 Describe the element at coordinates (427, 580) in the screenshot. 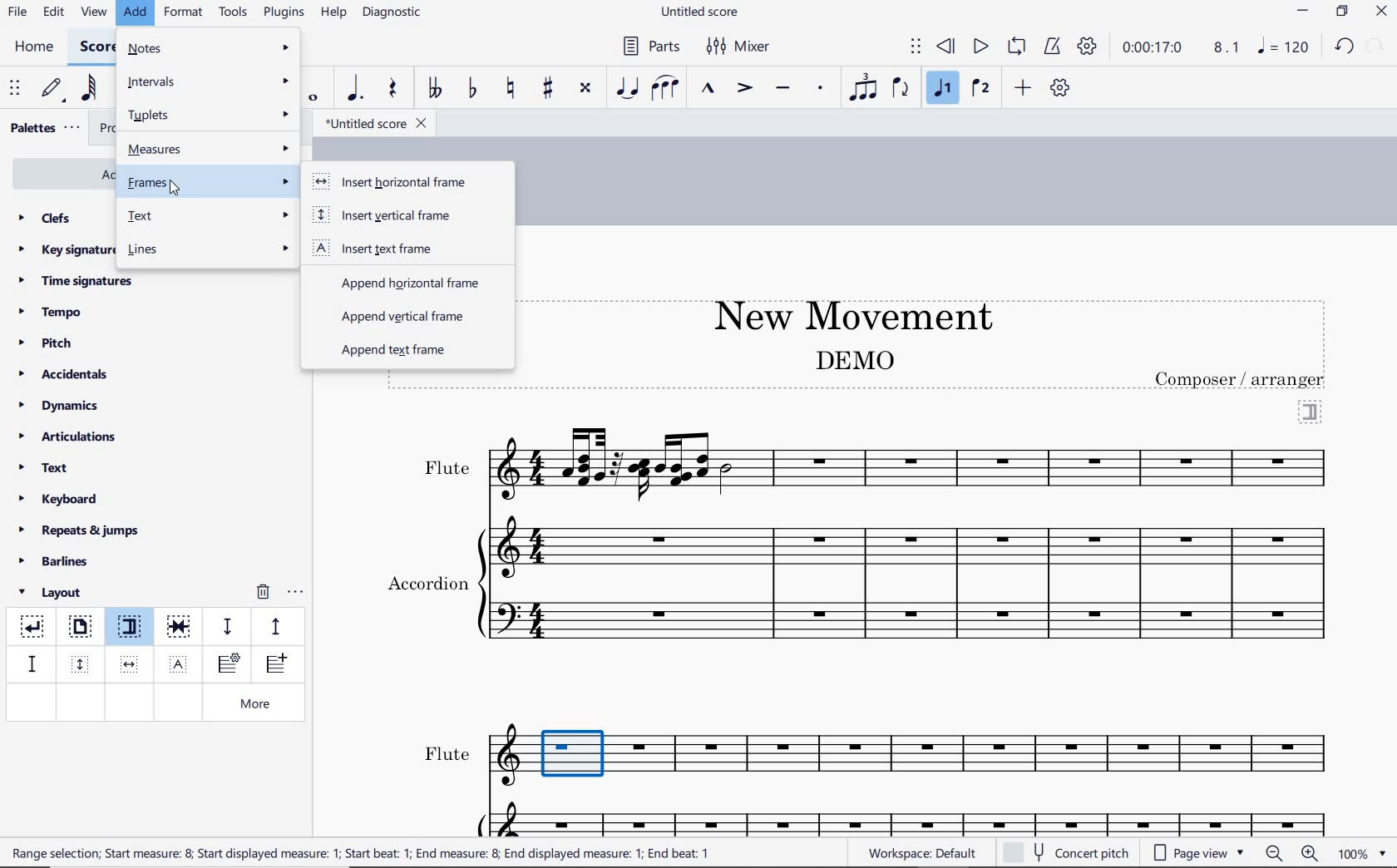

I see `text` at that location.